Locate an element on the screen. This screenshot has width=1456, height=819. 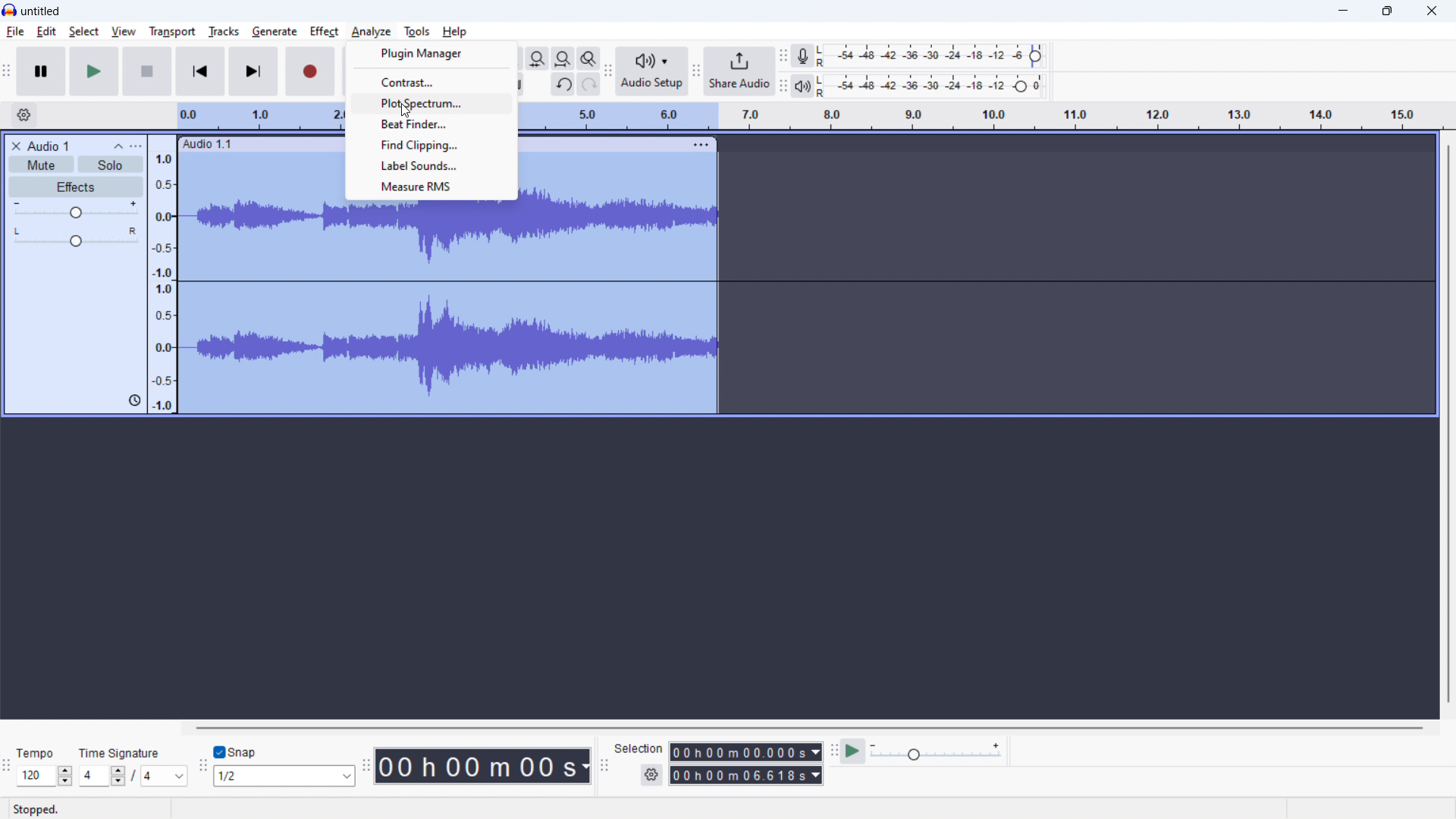
file is located at coordinates (16, 32).